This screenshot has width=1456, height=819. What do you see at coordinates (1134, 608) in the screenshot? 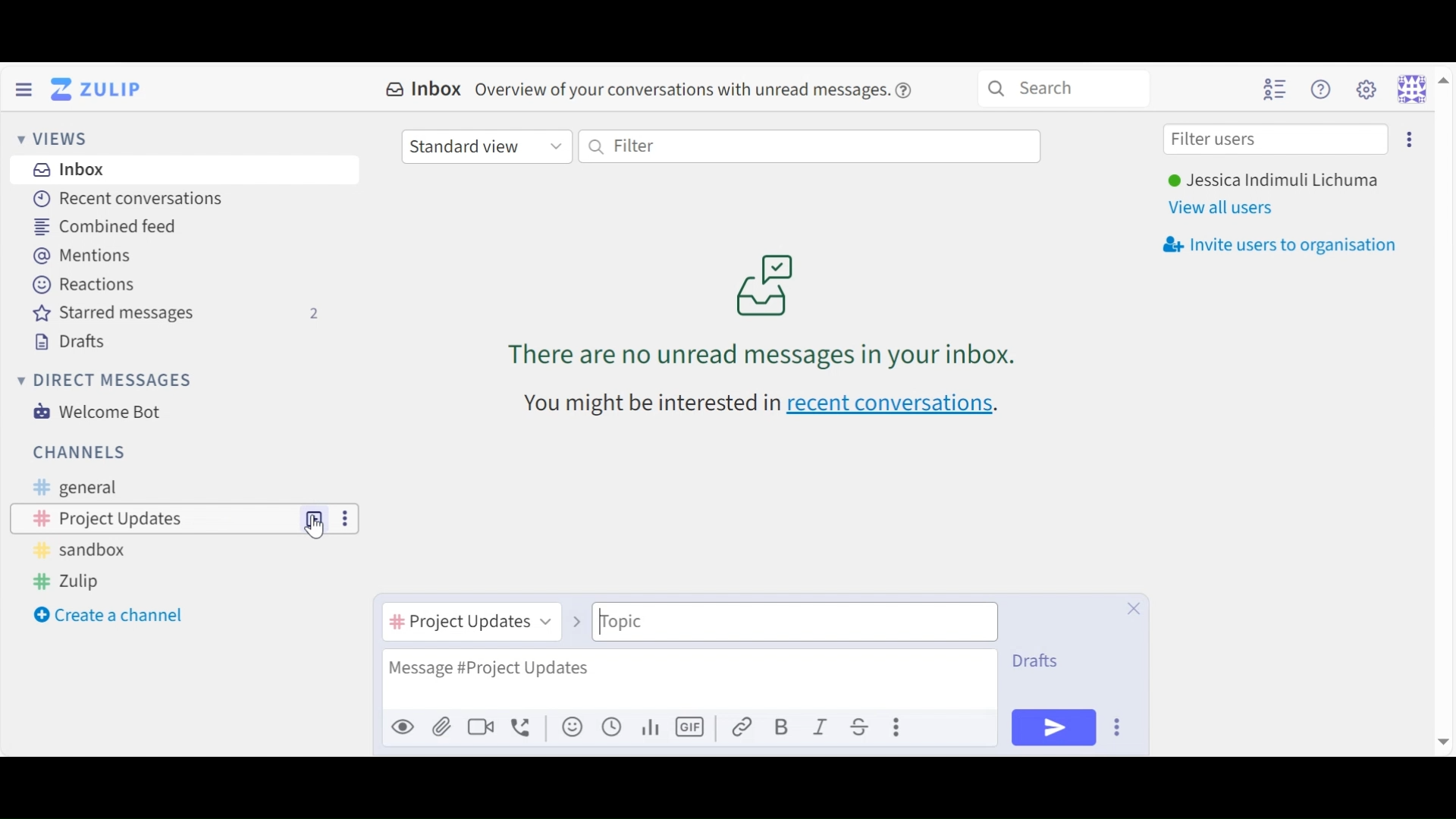
I see `Close` at bounding box center [1134, 608].